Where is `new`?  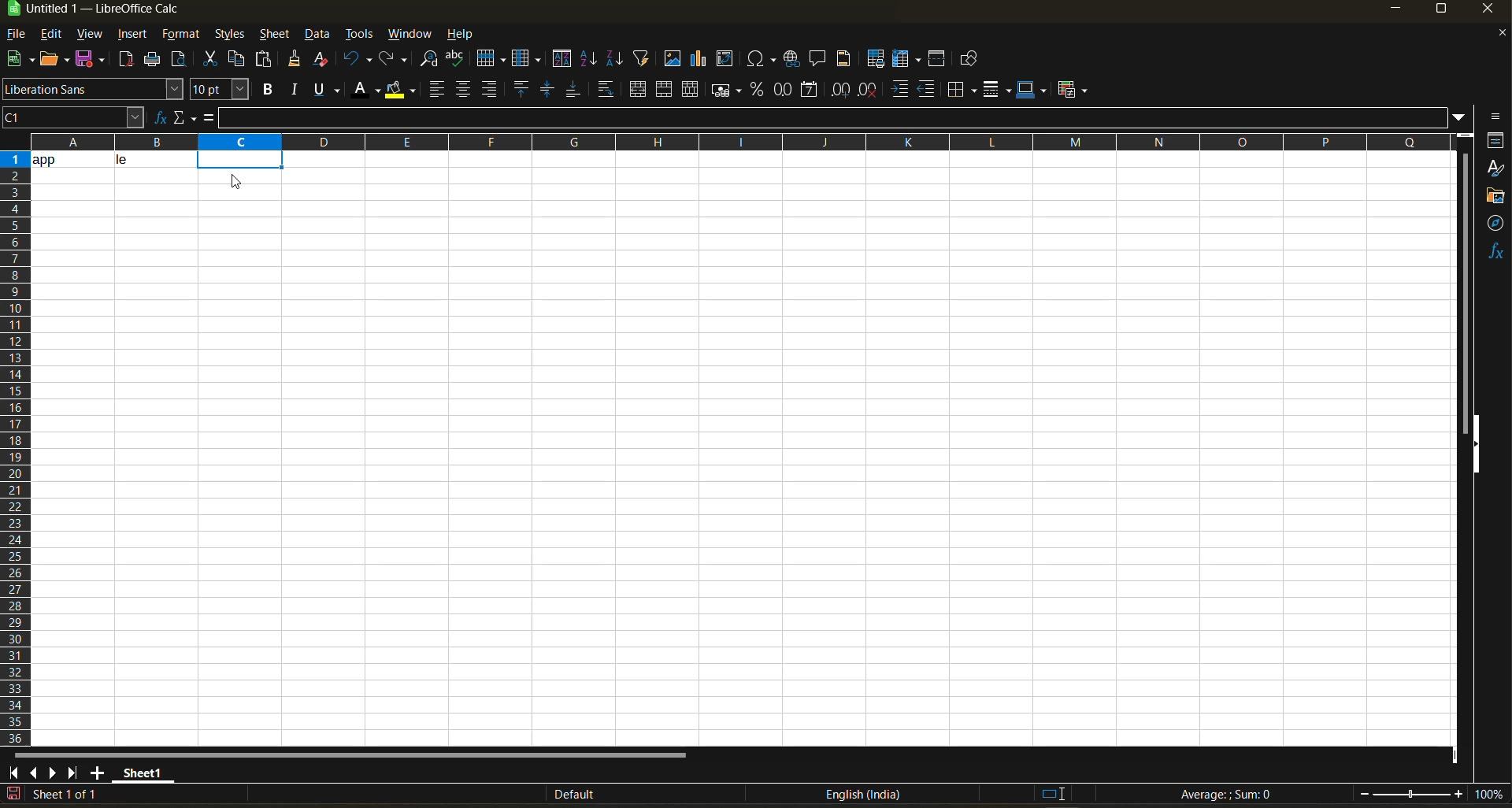
new is located at coordinates (18, 60).